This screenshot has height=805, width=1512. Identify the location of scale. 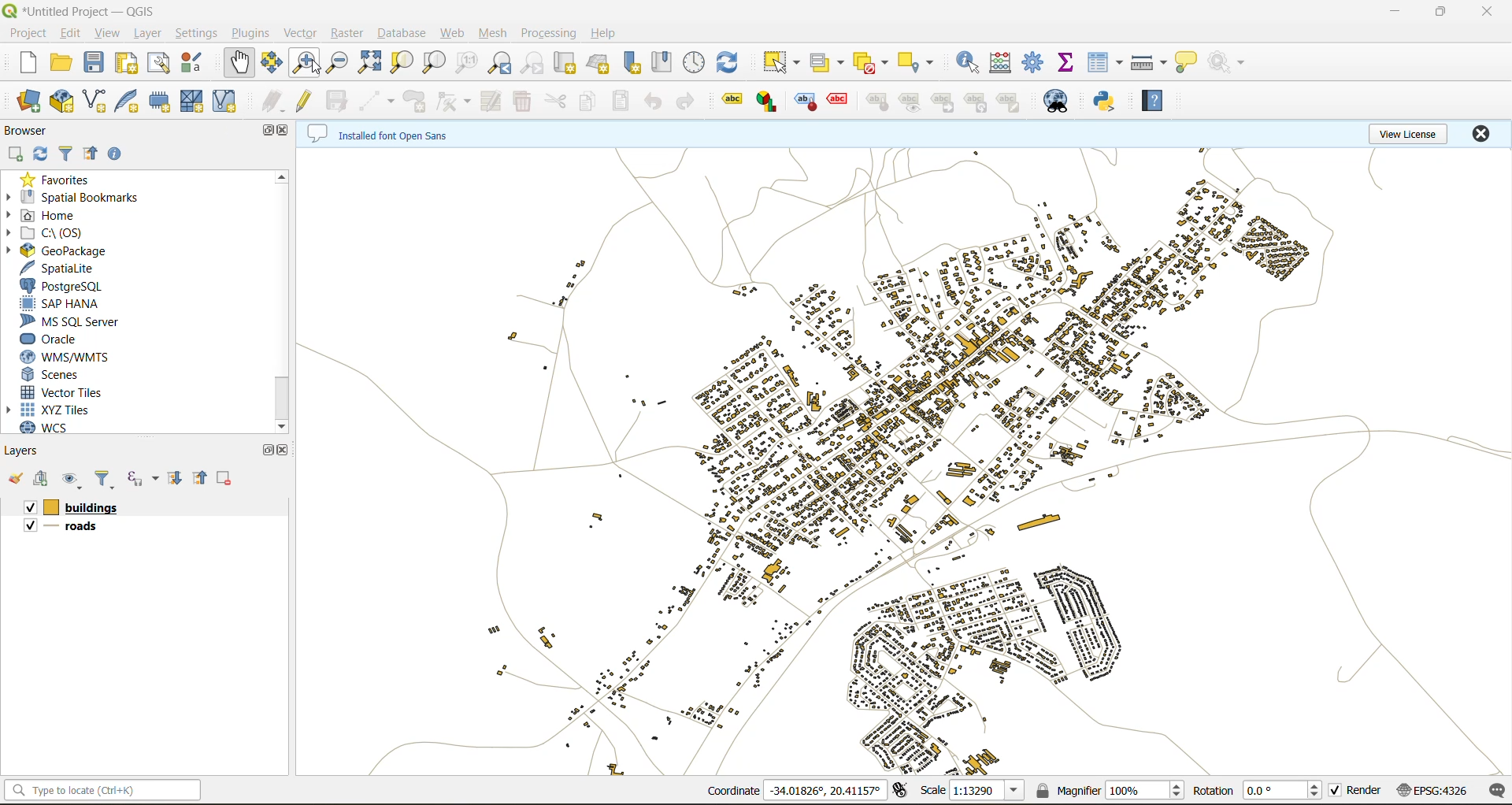
(969, 789).